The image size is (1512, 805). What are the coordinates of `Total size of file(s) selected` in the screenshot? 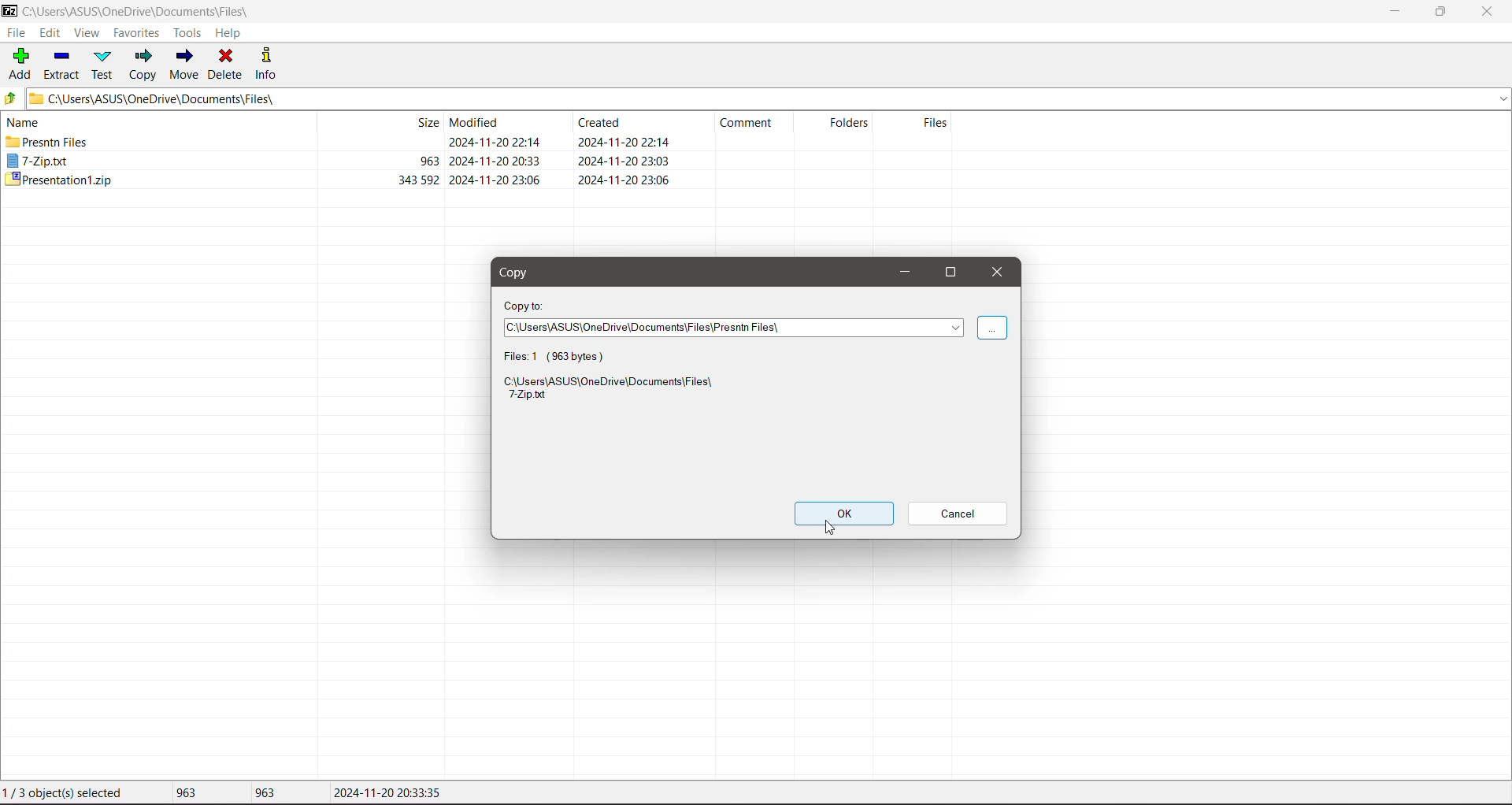 It's located at (182, 793).